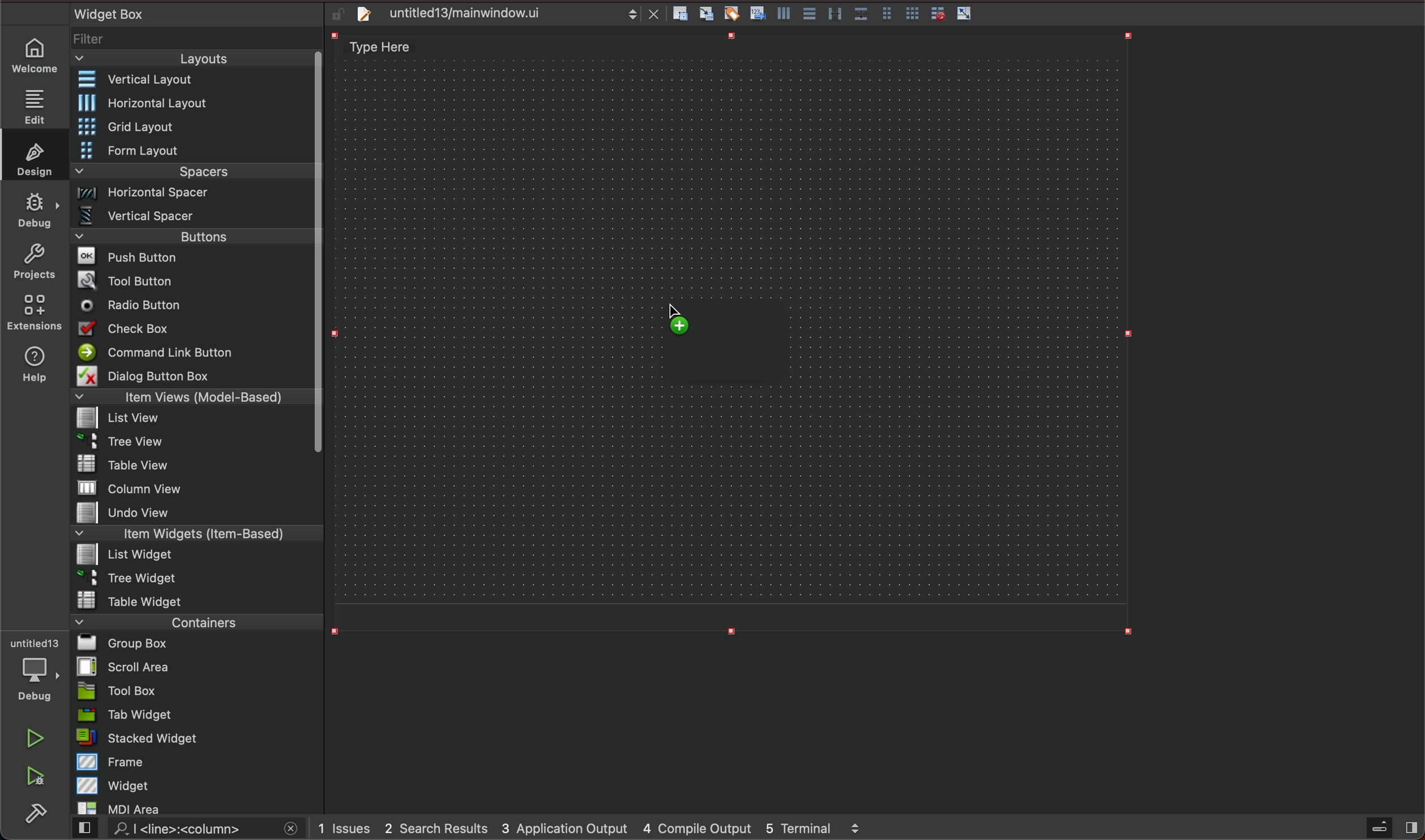 This screenshot has height=840, width=1425. What do you see at coordinates (194, 443) in the screenshot?
I see `tree view` at bounding box center [194, 443].